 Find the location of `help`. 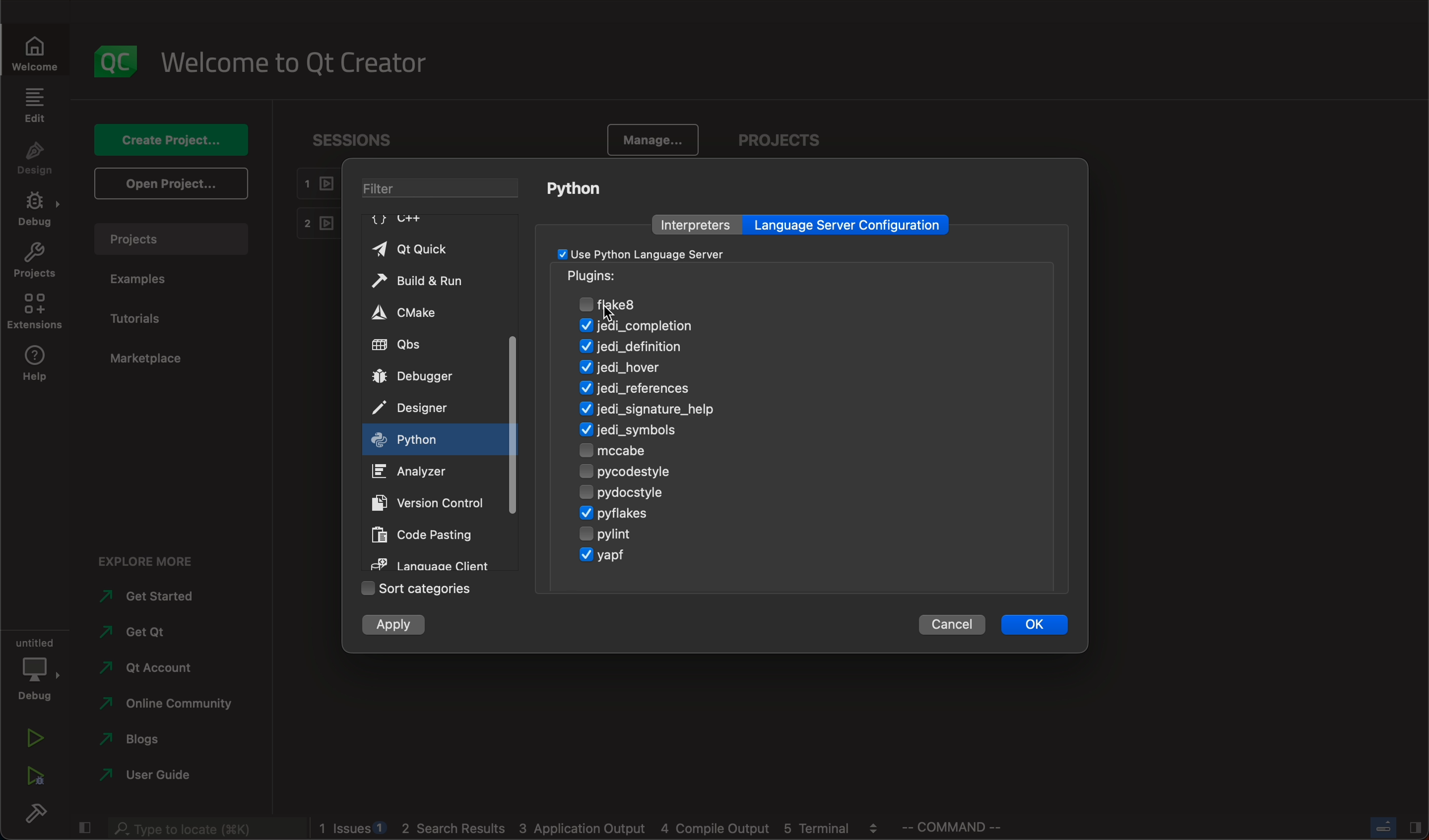

help is located at coordinates (33, 363).